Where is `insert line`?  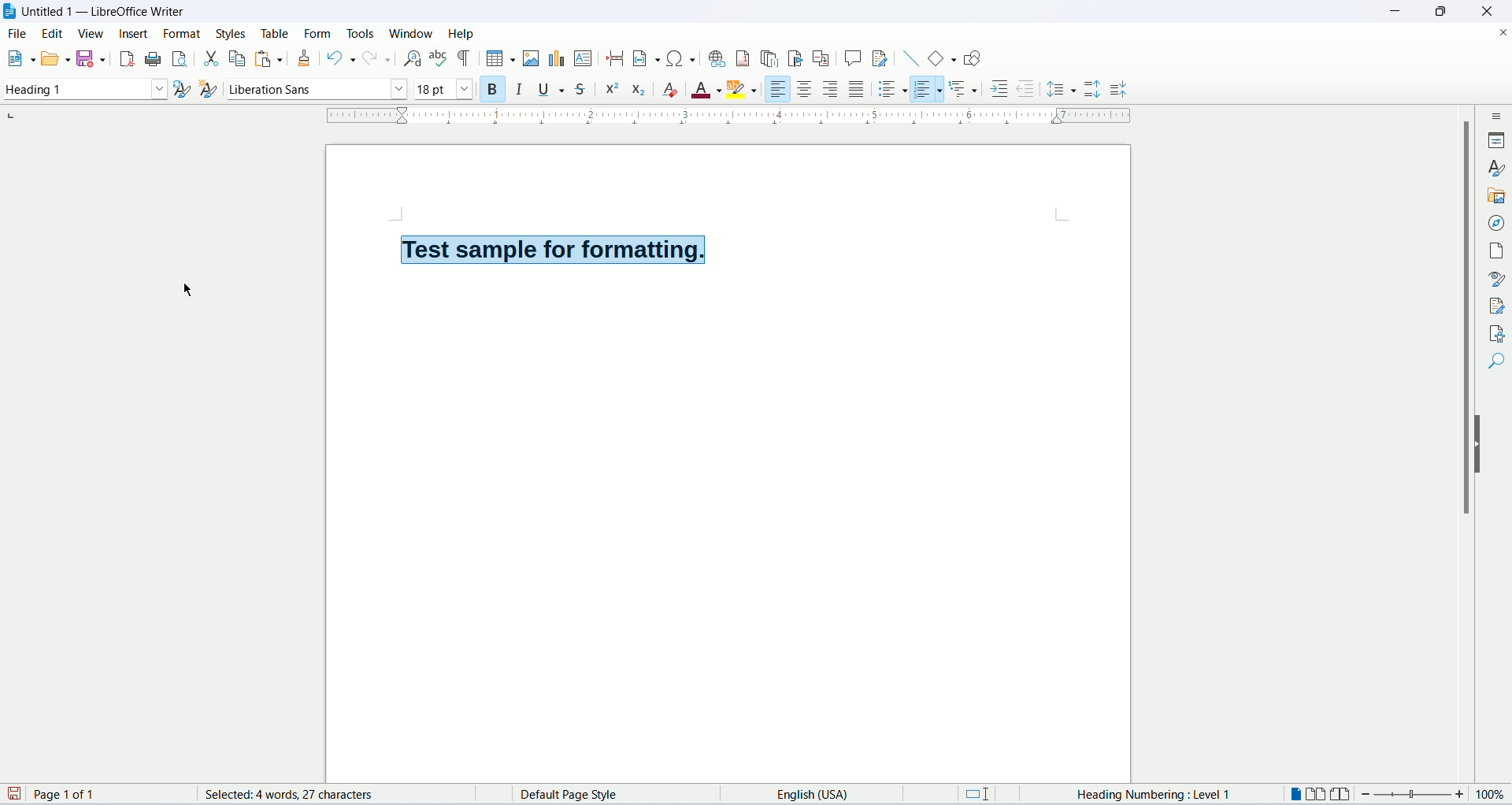
insert line is located at coordinates (909, 57).